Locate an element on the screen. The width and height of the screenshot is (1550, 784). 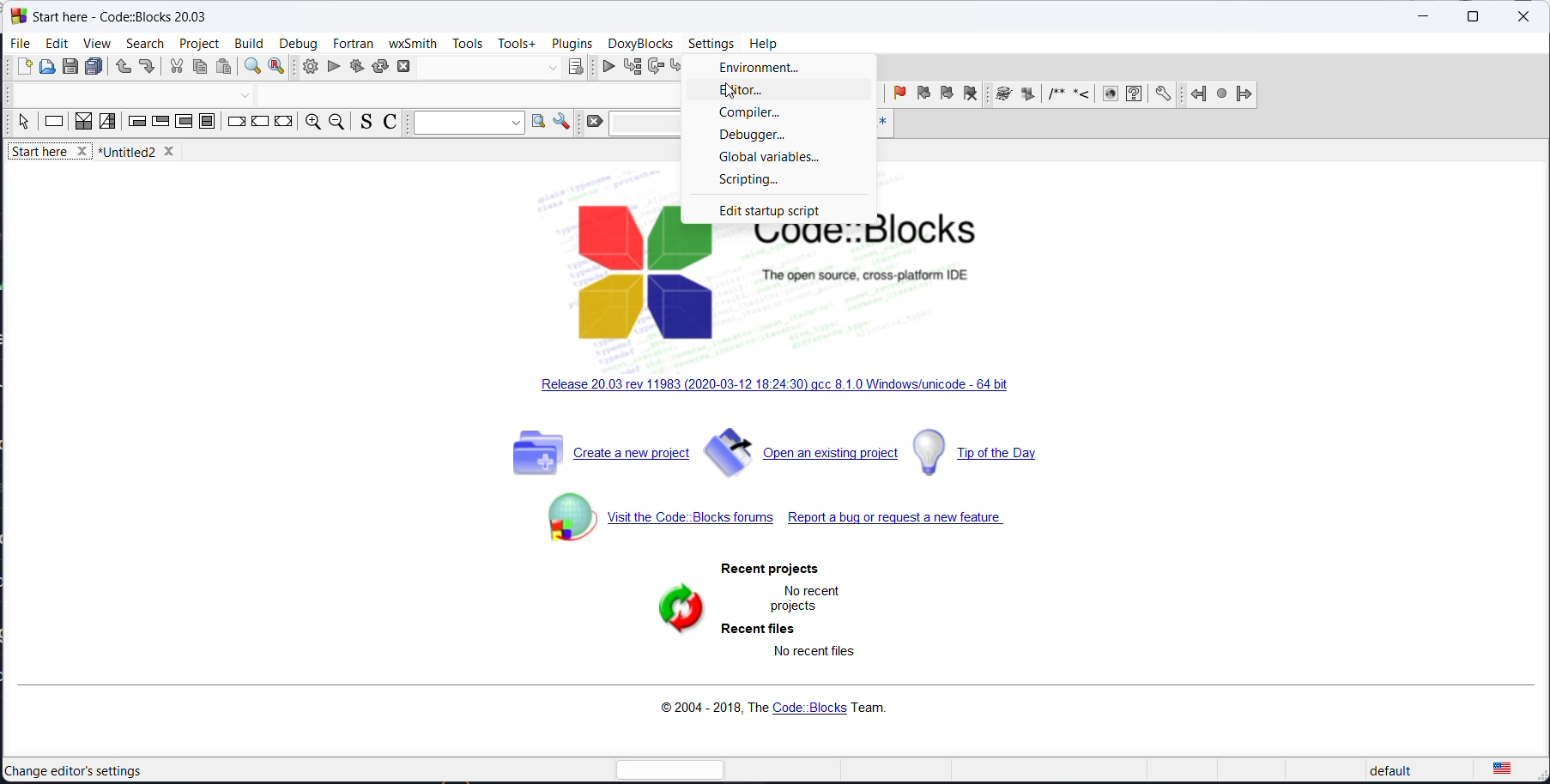
counting loop is located at coordinates (183, 124).